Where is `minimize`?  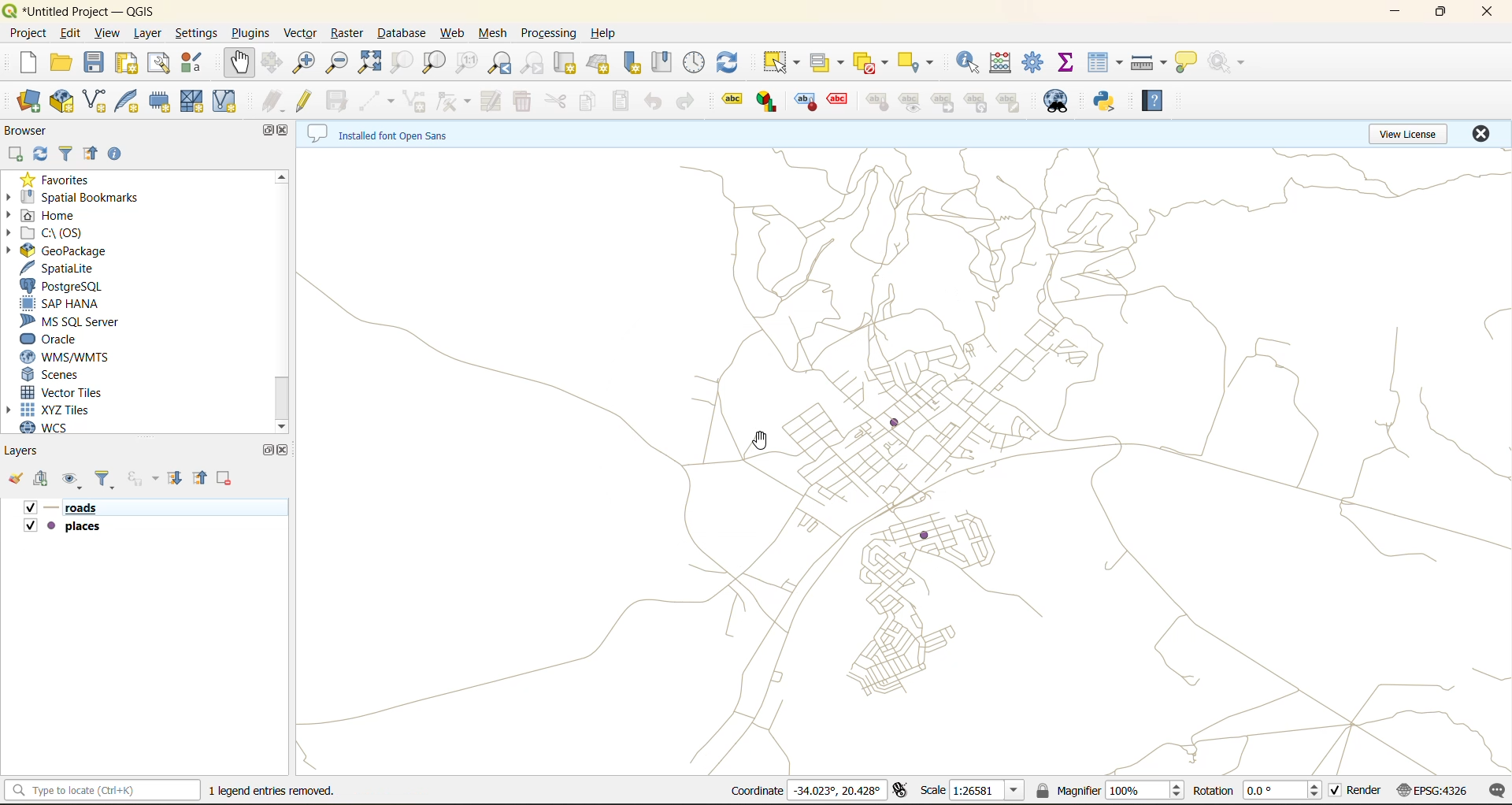 minimize is located at coordinates (1402, 13).